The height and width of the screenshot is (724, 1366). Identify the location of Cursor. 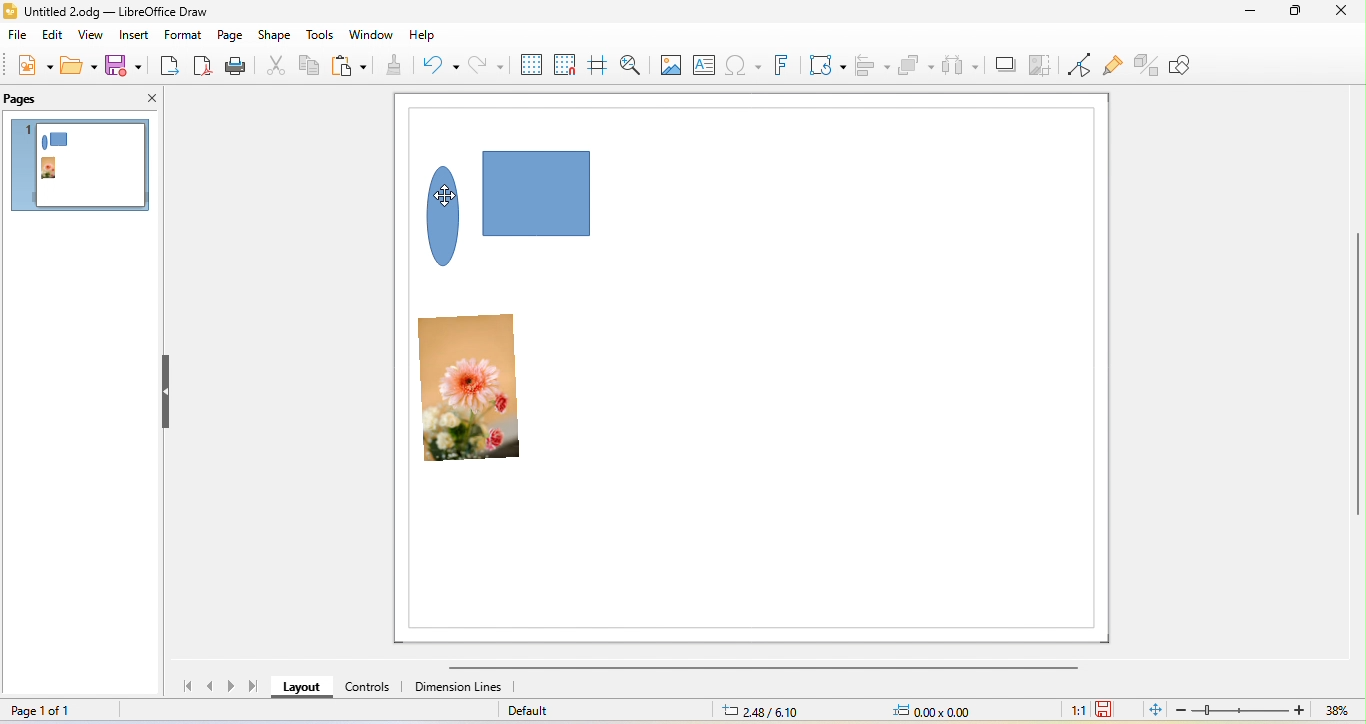
(444, 194).